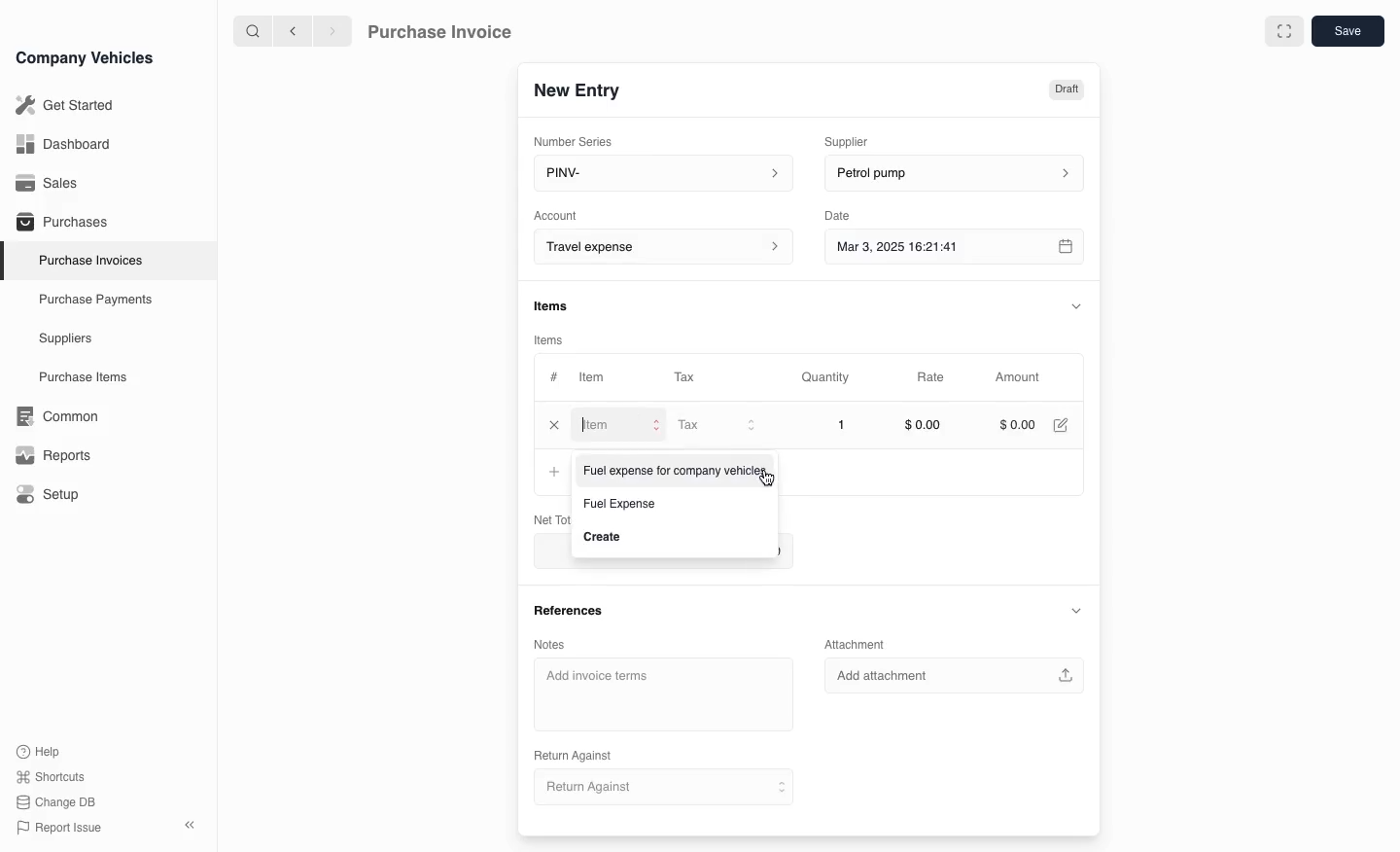 This screenshot has height=852, width=1400. Describe the element at coordinates (64, 339) in the screenshot. I see `Suppliers` at that location.